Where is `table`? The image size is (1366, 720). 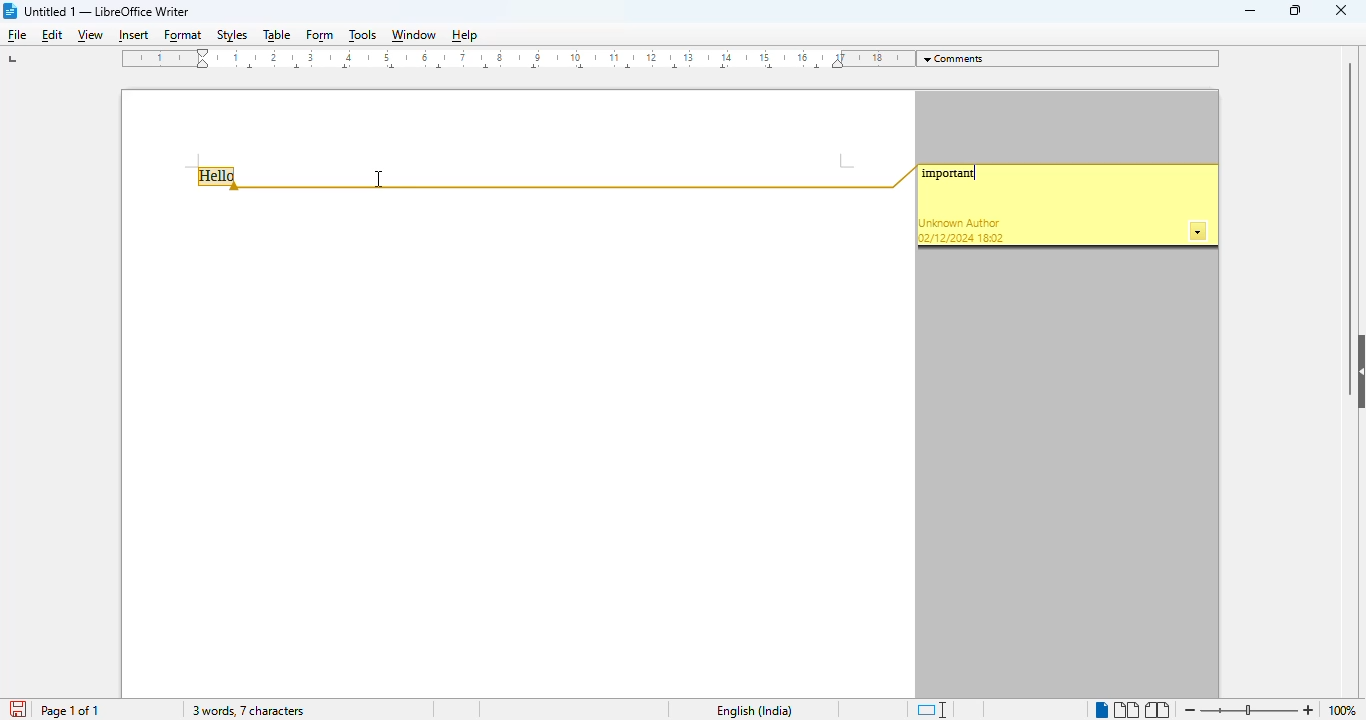 table is located at coordinates (276, 36).